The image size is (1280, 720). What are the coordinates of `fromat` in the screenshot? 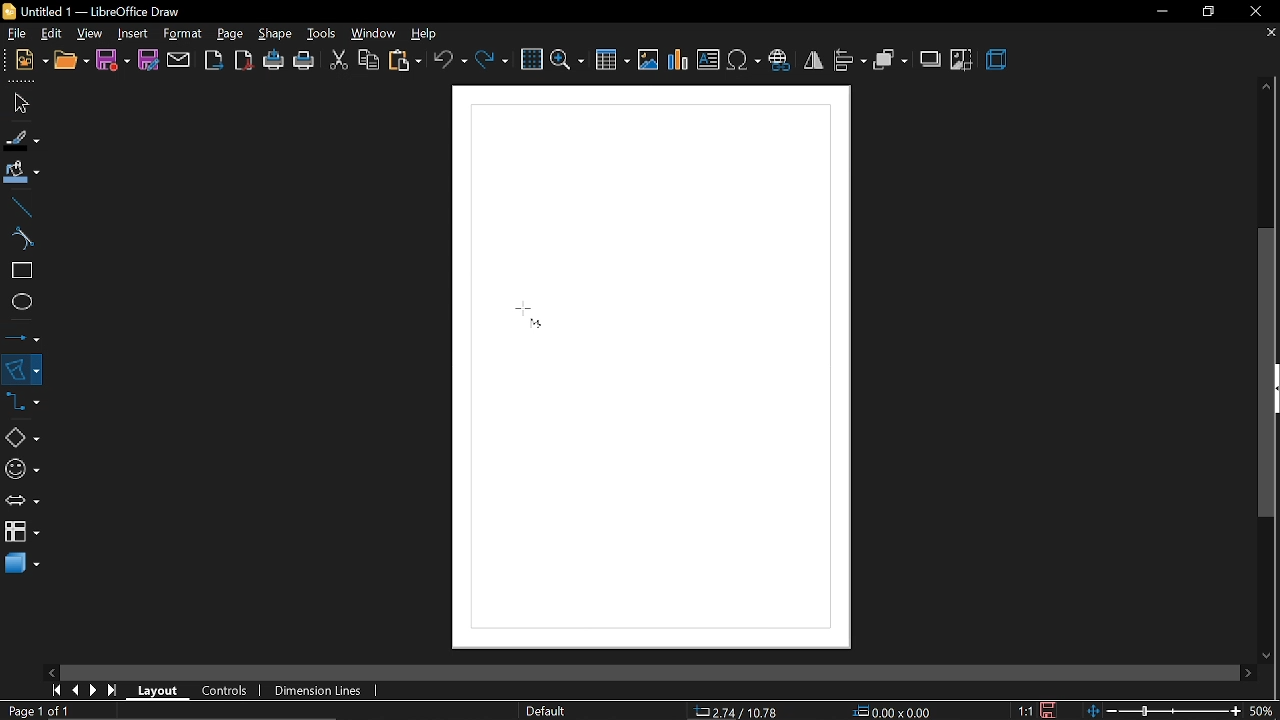 It's located at (182, 34).